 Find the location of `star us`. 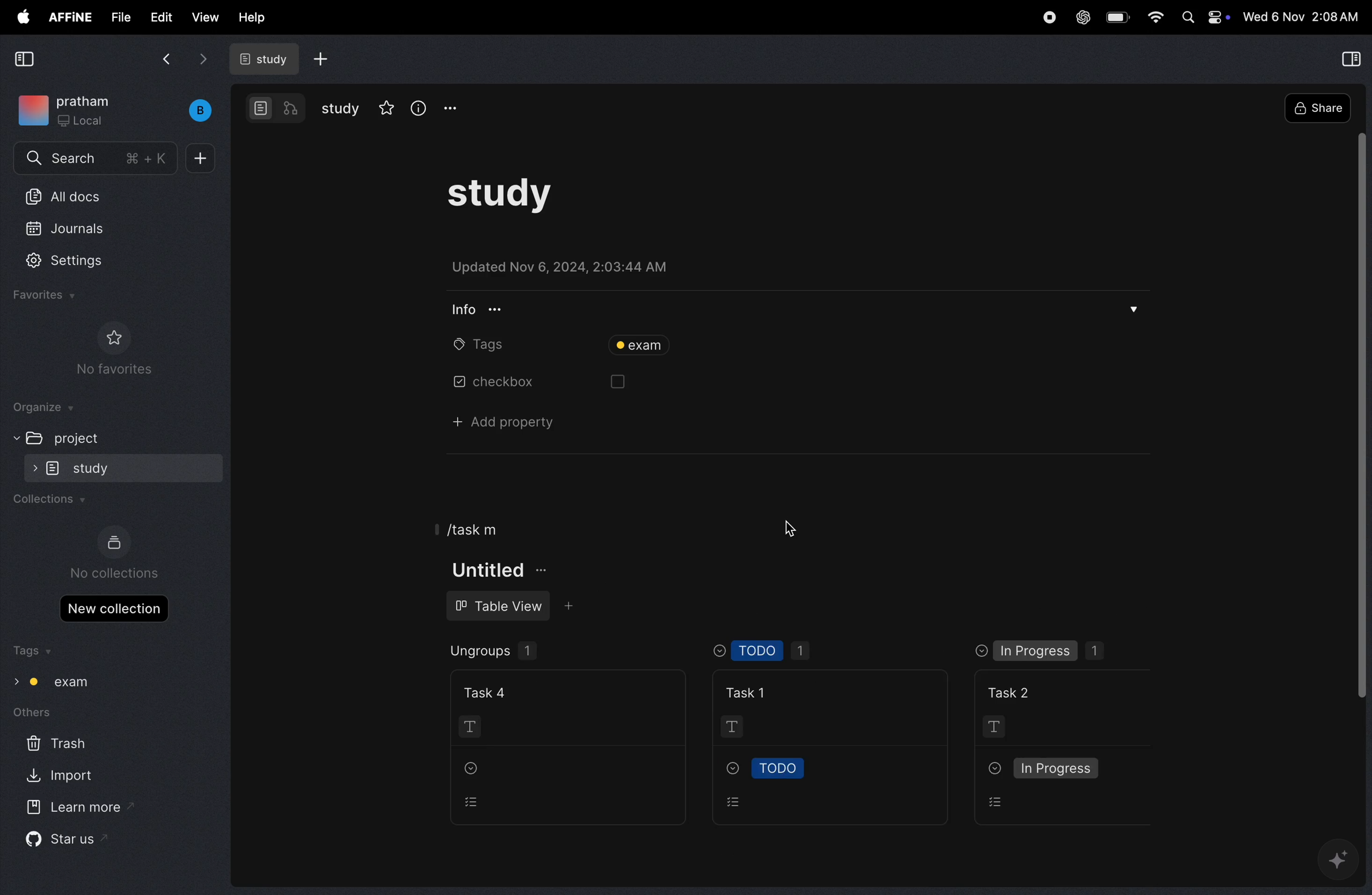

star us is located at coordinates (64, 842).